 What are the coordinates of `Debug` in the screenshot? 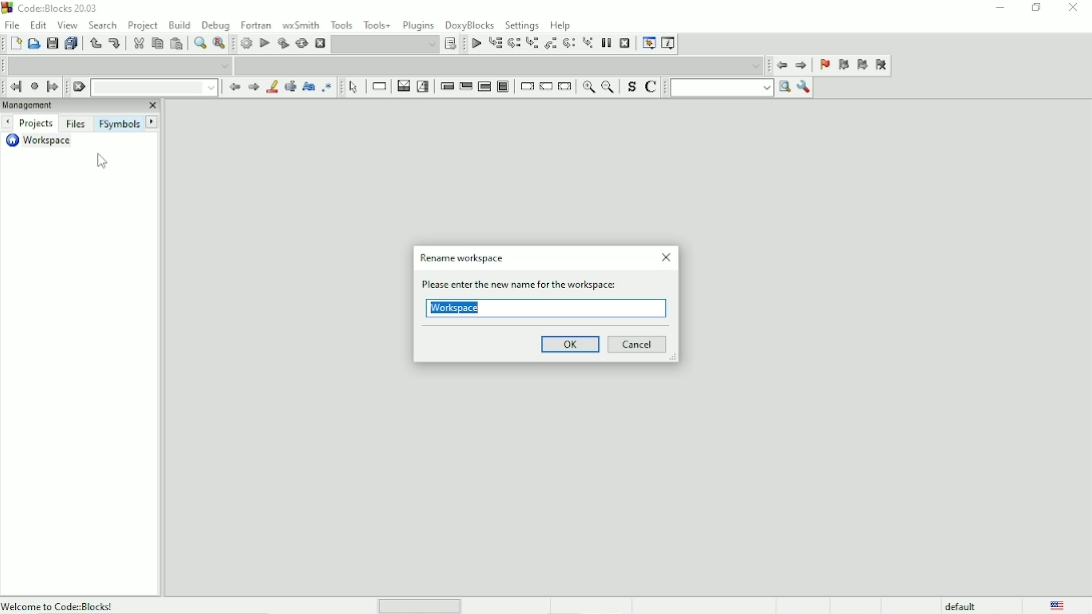 It's located at (216, 24).